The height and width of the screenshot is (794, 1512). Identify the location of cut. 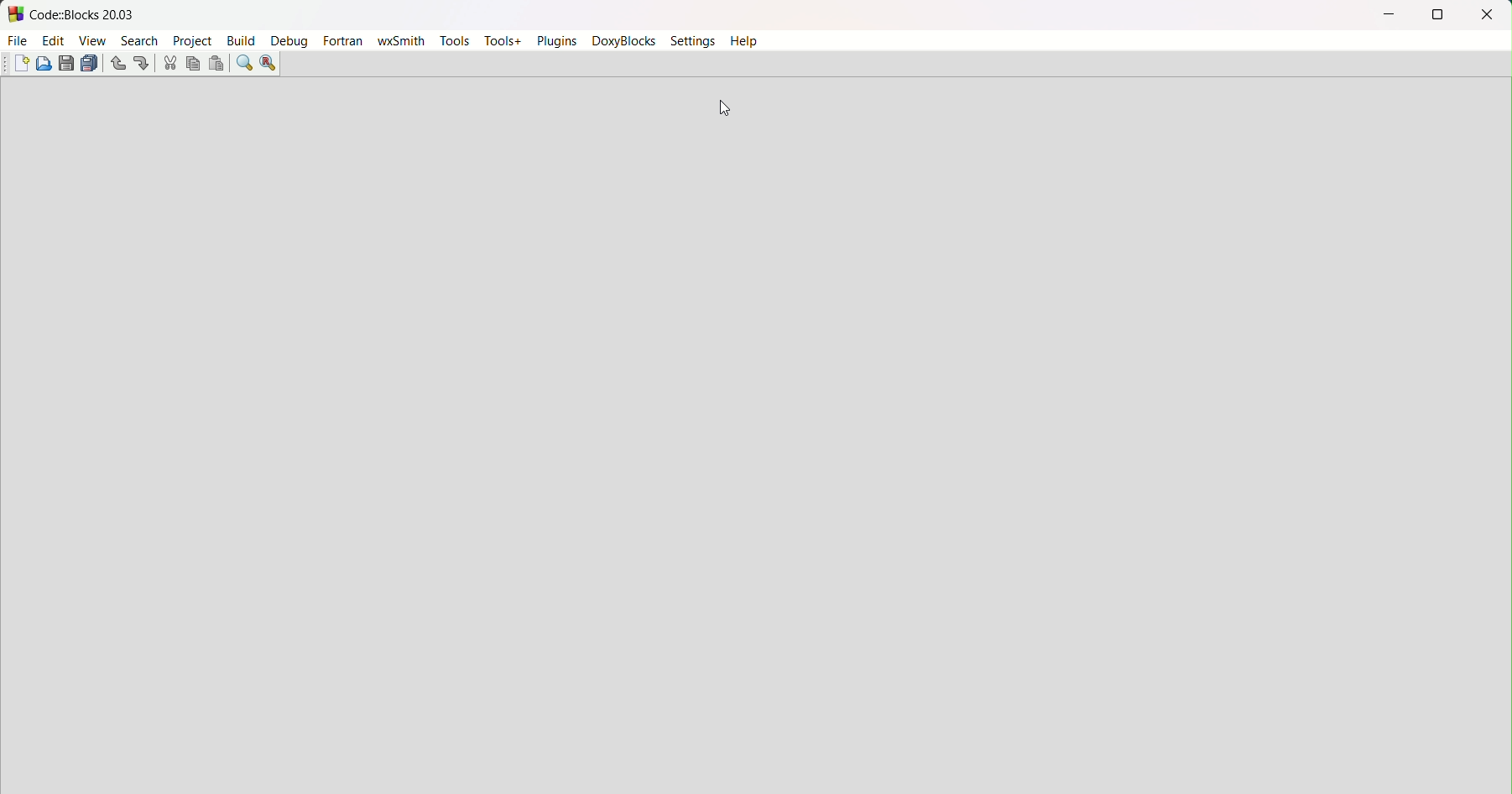
(169, 64).